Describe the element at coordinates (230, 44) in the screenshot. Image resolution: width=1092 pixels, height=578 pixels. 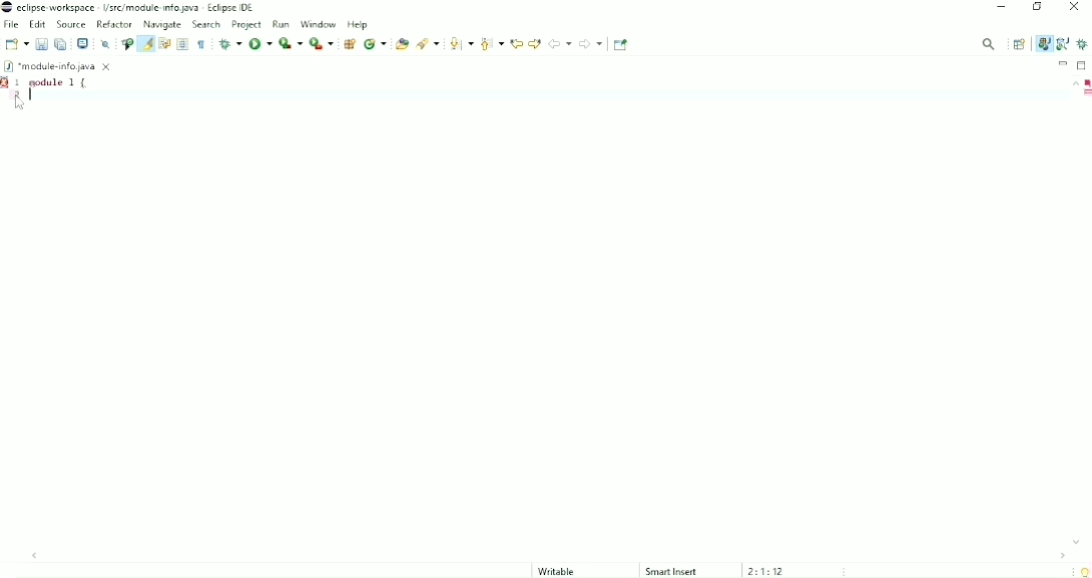
I see `Debug` at that location.